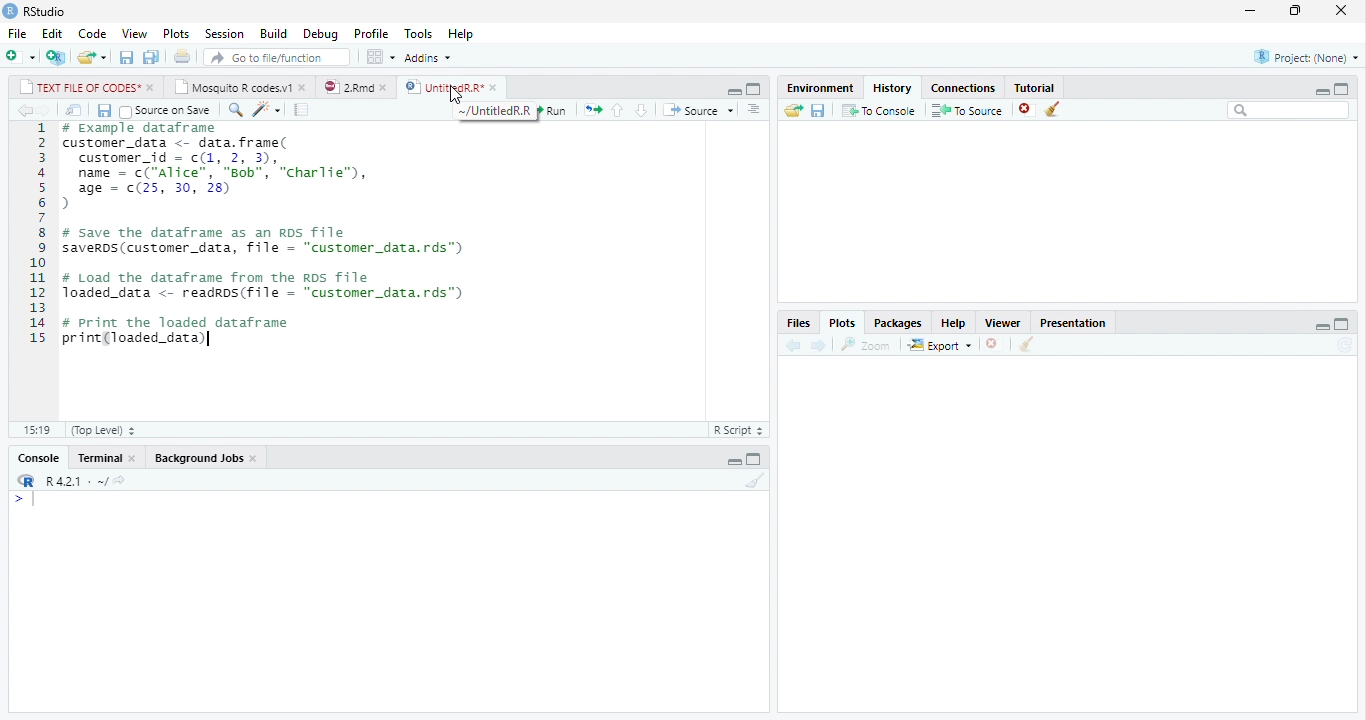 Image resolution: width=1366 pixels, height=720 pixels. What do you see at coordinates (700, 111) in the screenshot?
I see `Source` at bounding box center [700, 111].